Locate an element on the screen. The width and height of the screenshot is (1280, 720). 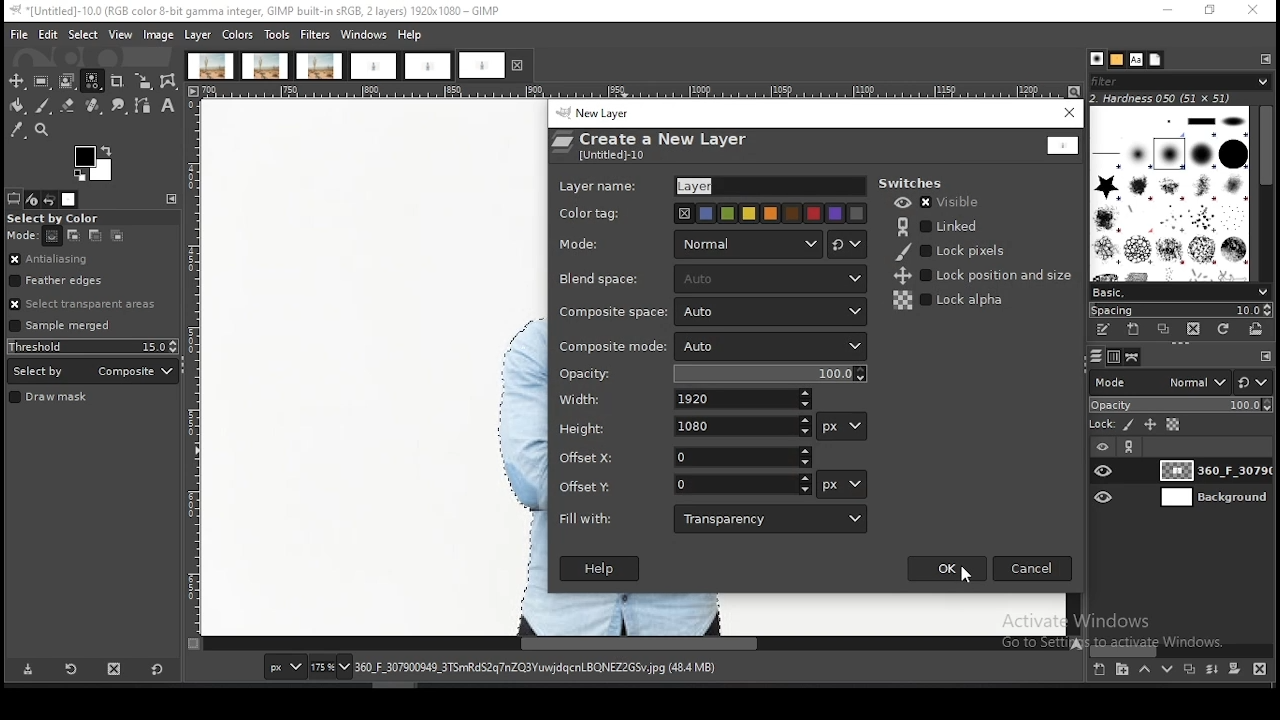
patterns is located at coordinates (1118, 60).